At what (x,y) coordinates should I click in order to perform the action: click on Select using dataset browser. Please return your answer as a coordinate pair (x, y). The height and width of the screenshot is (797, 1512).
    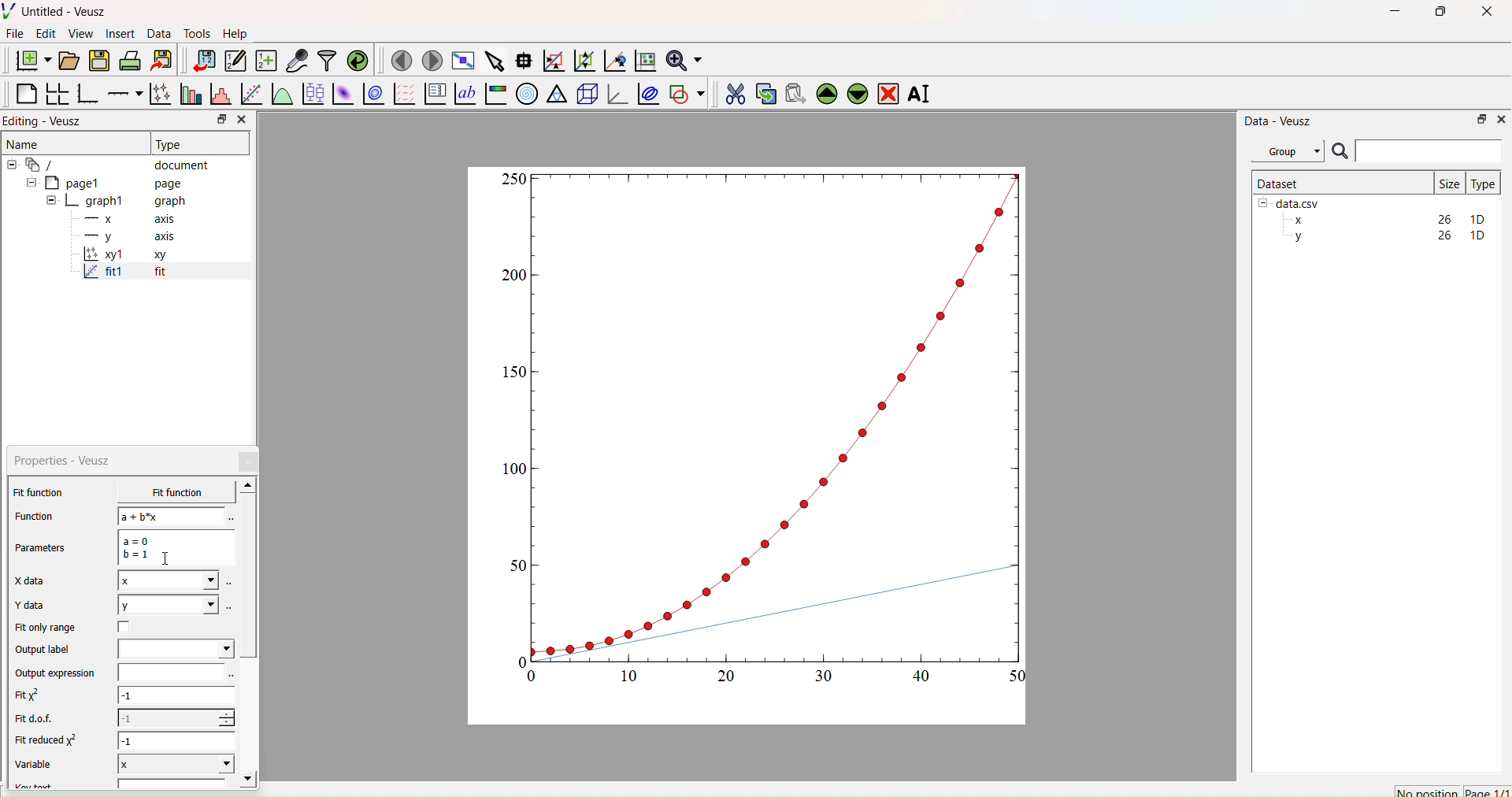
    Looking at the image, I should click on (229, 585).